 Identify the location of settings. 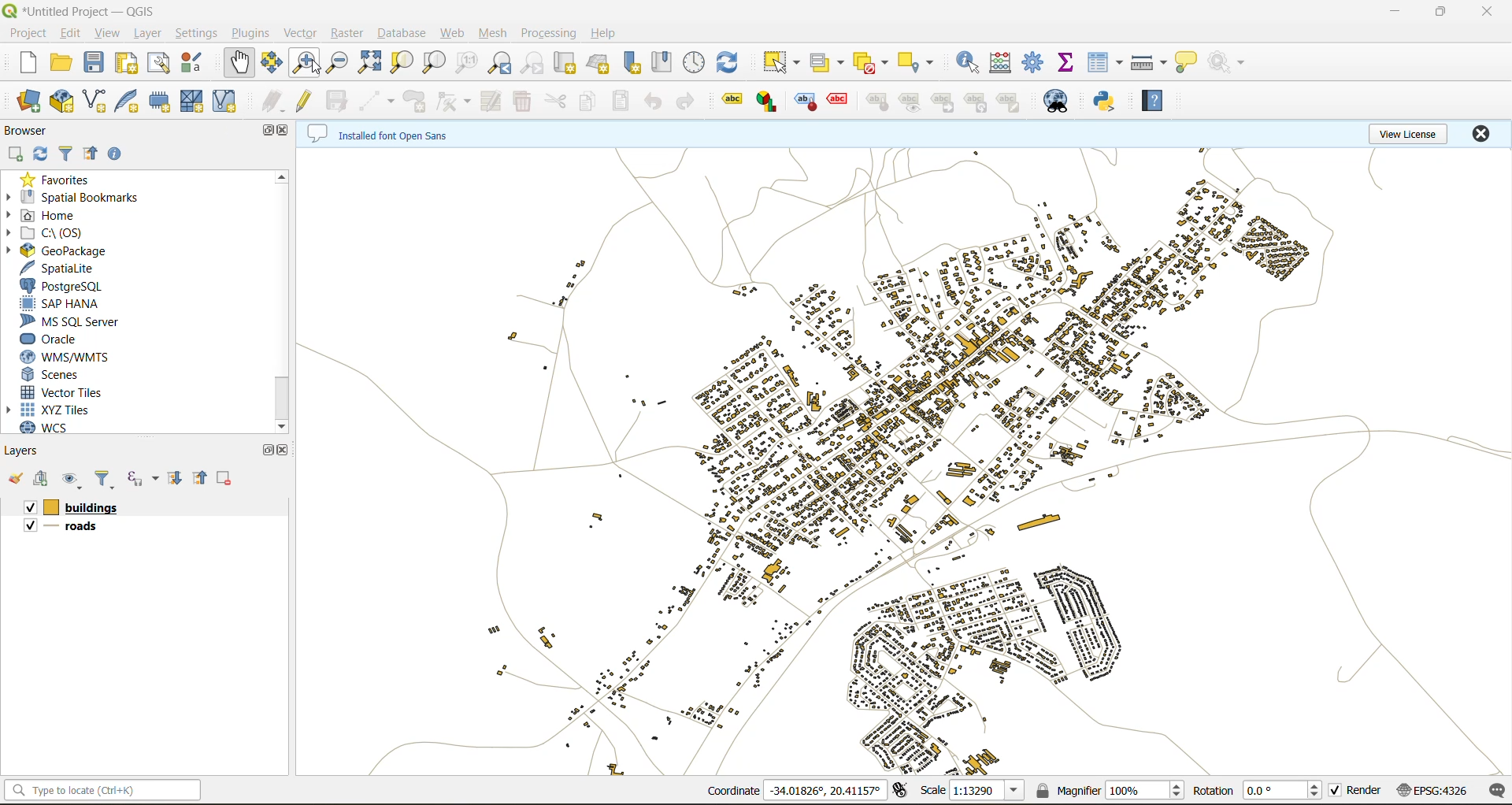
(194, 33).